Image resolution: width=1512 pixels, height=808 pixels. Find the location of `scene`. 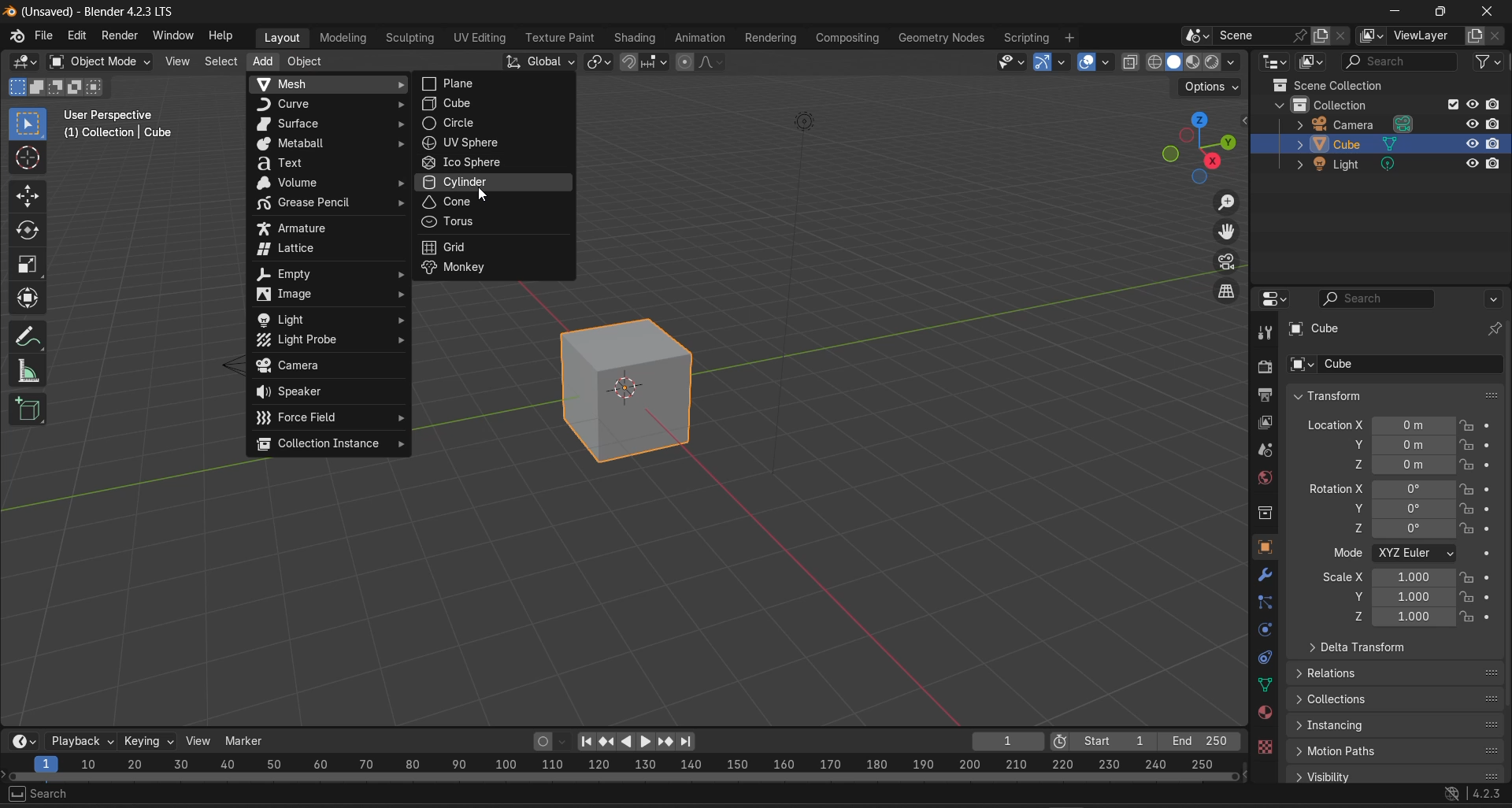

scene is located at coordinates (1266, 450).